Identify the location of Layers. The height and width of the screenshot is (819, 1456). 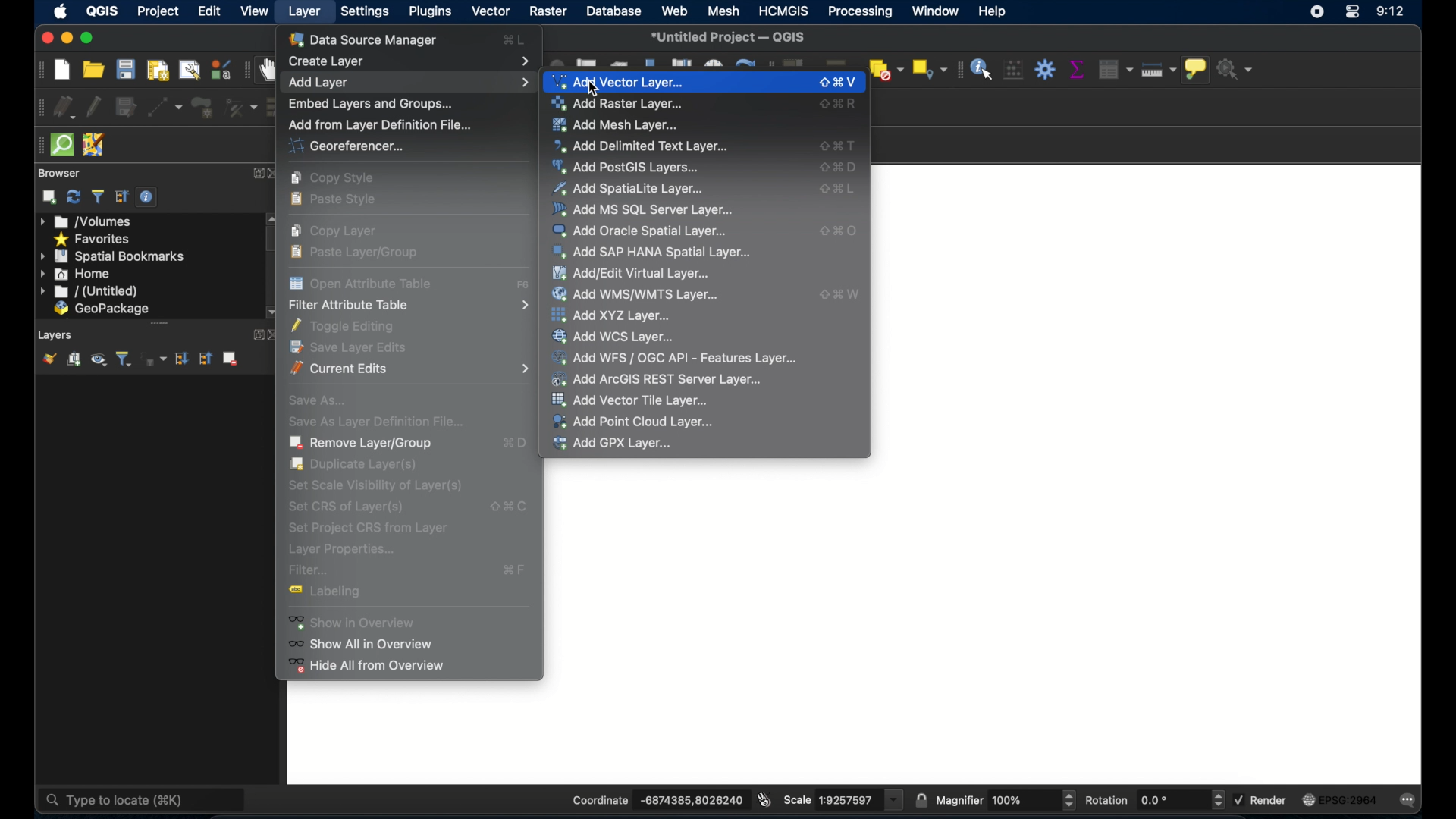
(52, 335).